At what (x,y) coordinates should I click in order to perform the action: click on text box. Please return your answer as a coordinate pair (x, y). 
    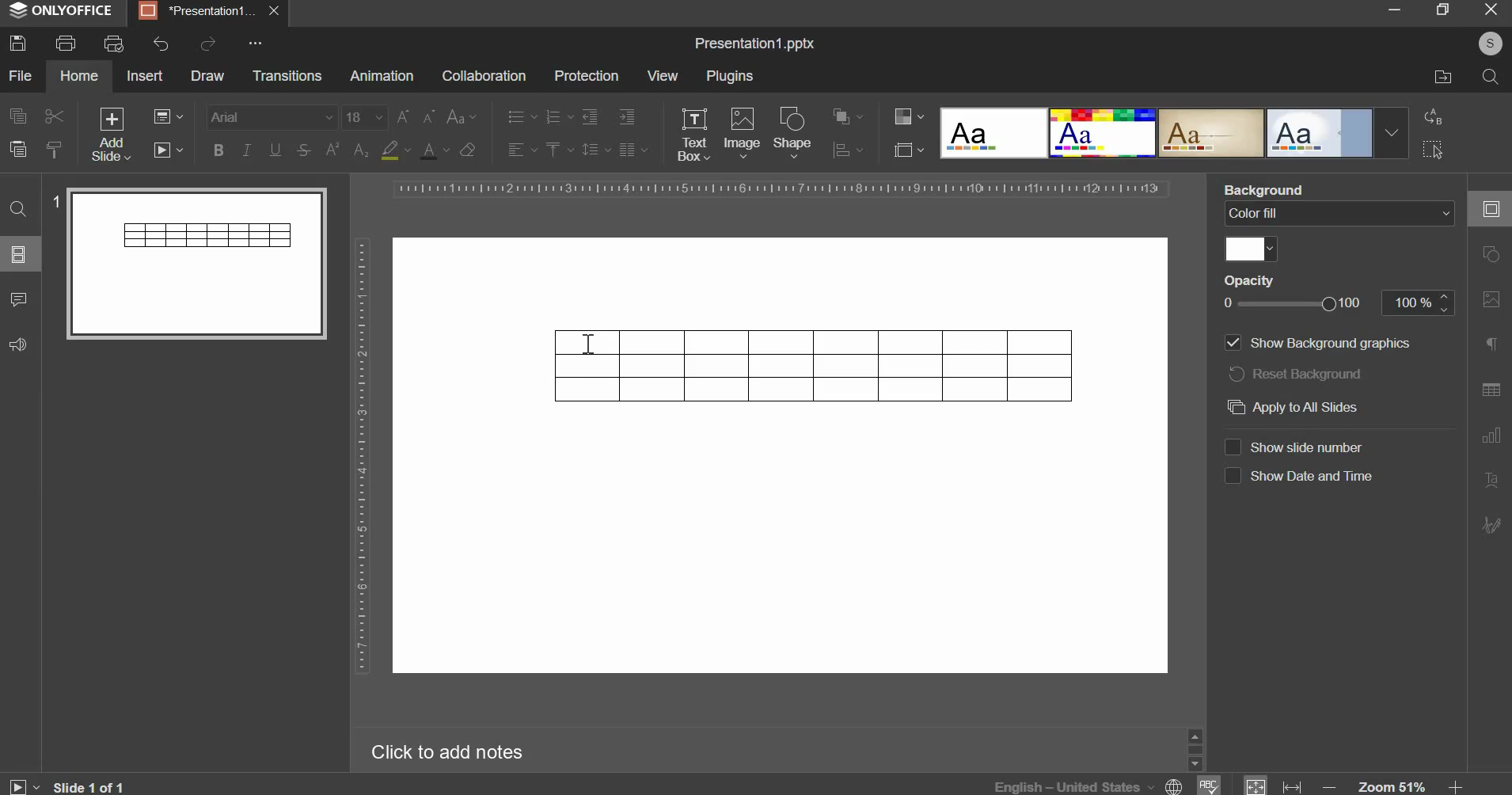
    Looking at the image, I should click on (693, 135).